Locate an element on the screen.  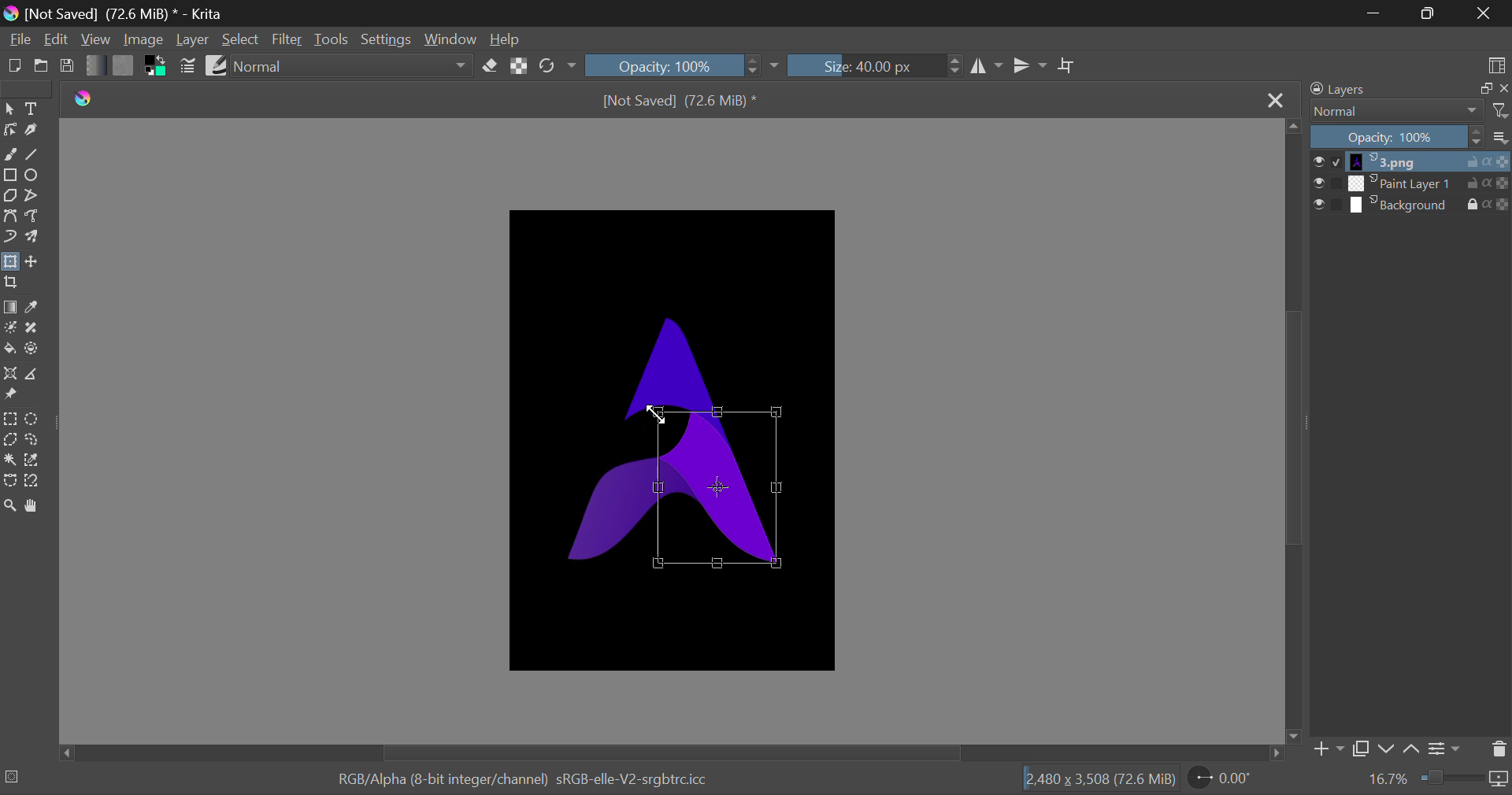
Calligraphic Tool is located at coordinates (35, 134).